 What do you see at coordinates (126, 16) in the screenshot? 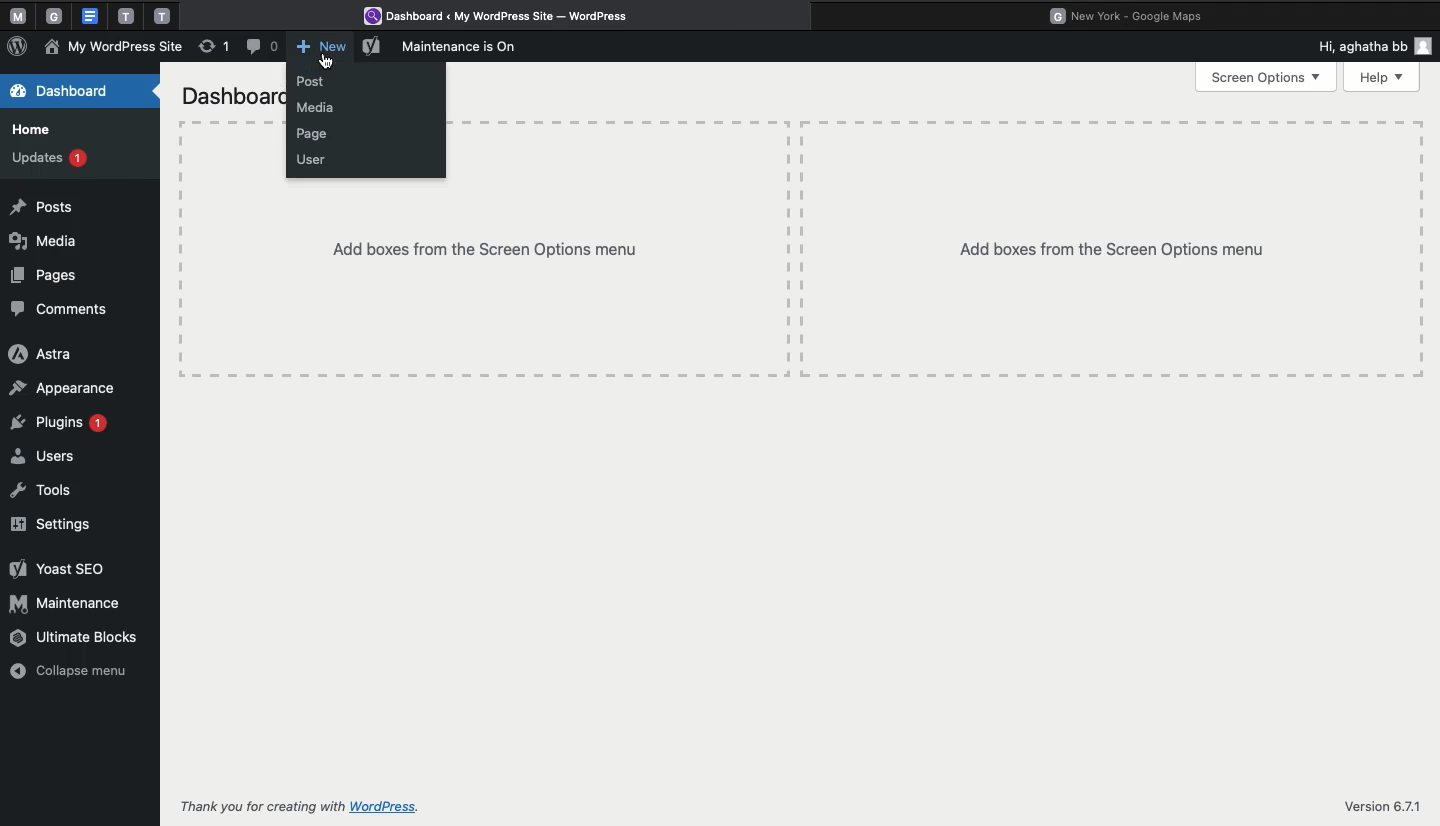
I see `tab` at bounding box center [126, 16].